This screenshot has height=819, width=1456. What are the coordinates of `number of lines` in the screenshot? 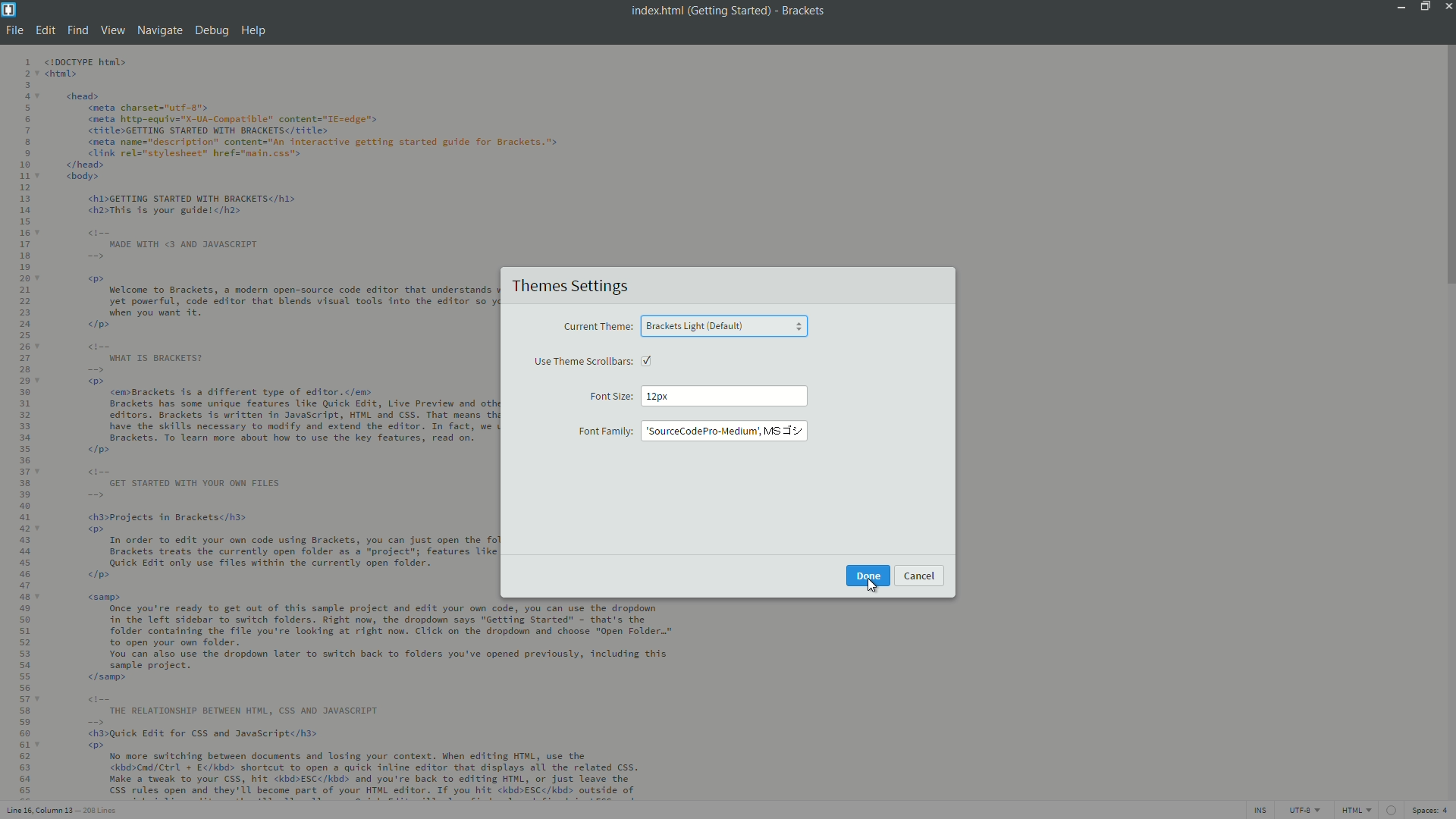 It's located at (102, 812).